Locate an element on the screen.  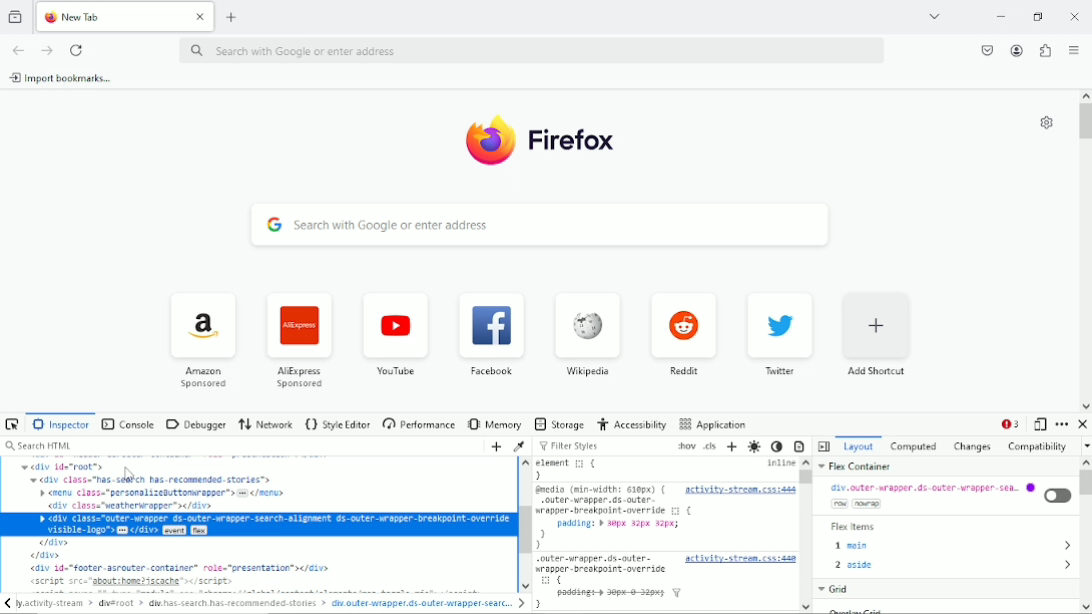
Search HTML is located at coordinates (40, 446).